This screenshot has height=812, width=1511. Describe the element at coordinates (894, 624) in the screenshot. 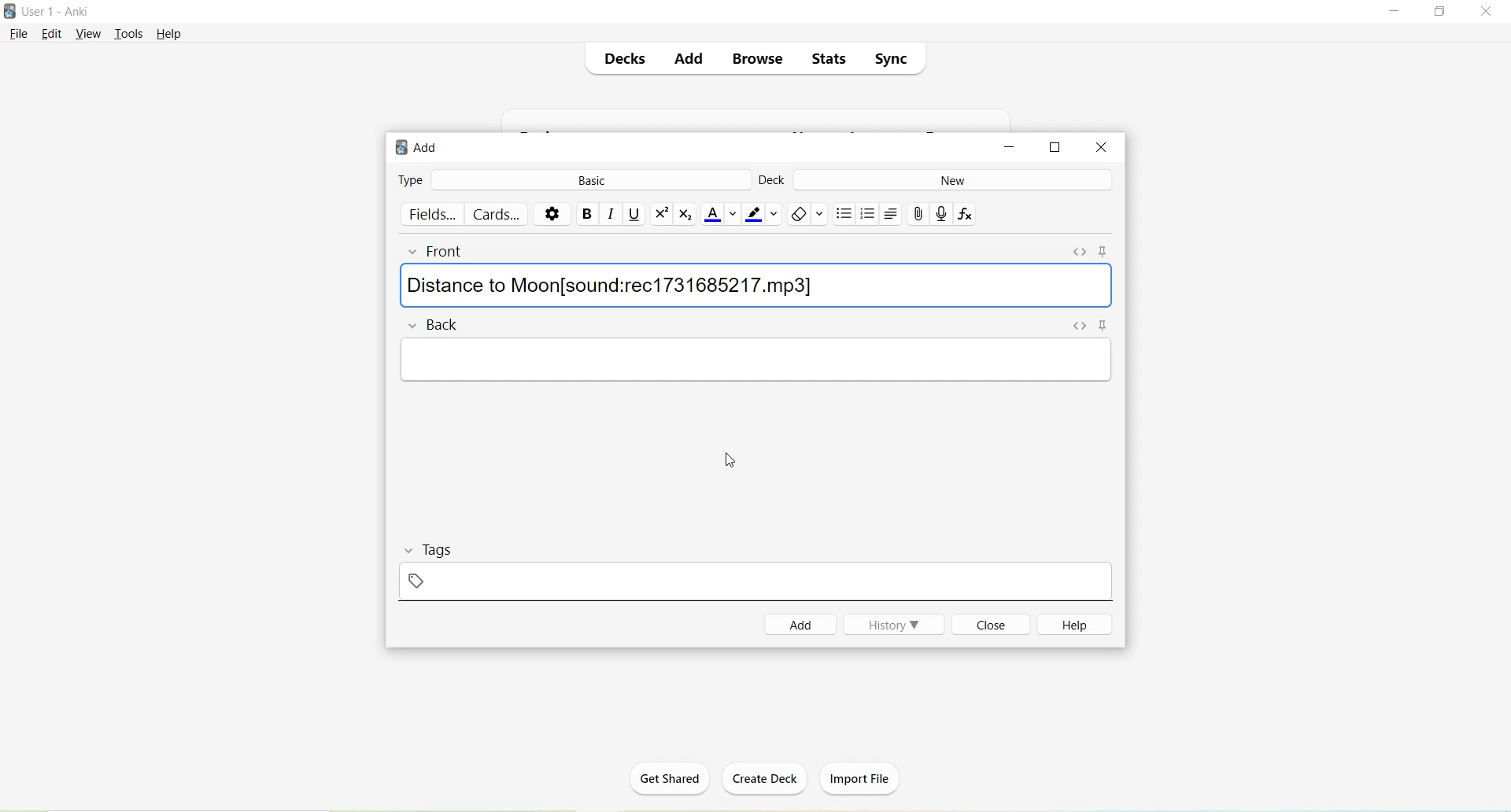

I see `History` at that location.